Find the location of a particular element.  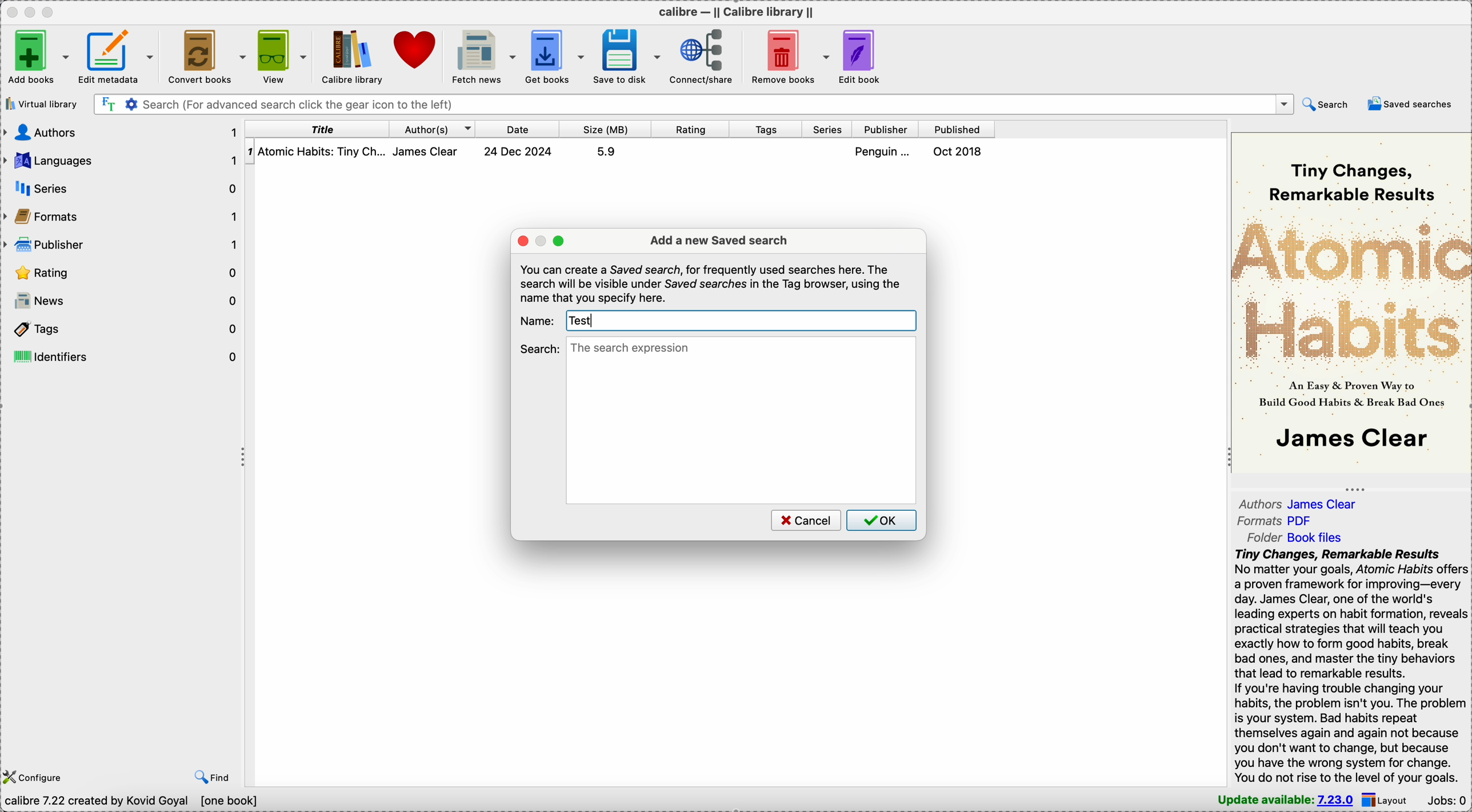

penguin... is located at coordinates (885, 151).